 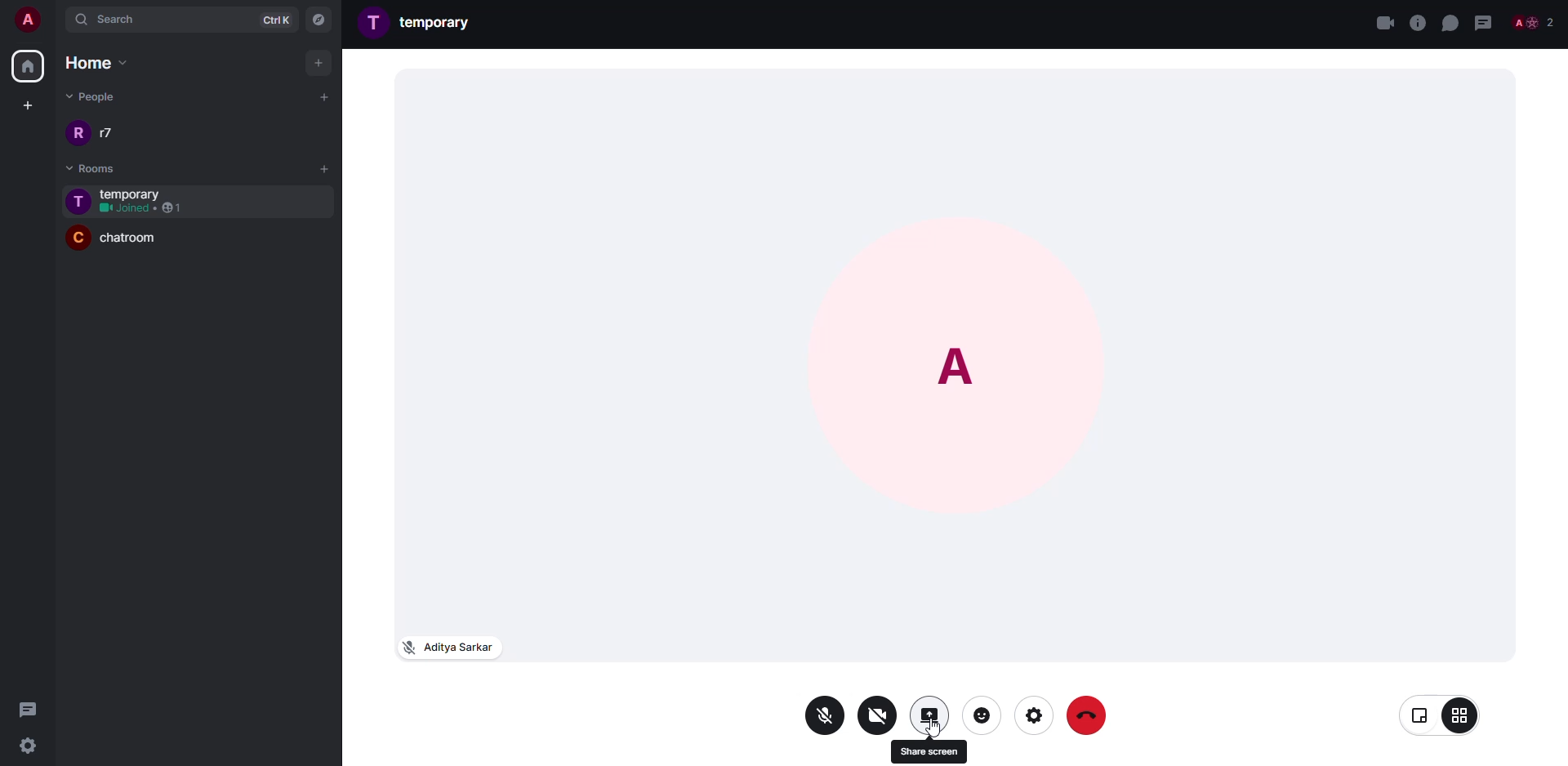 What do you see at coordinates (1441, 715) in the screenshot?
I see `view change` at bounding box center [1441, 715].